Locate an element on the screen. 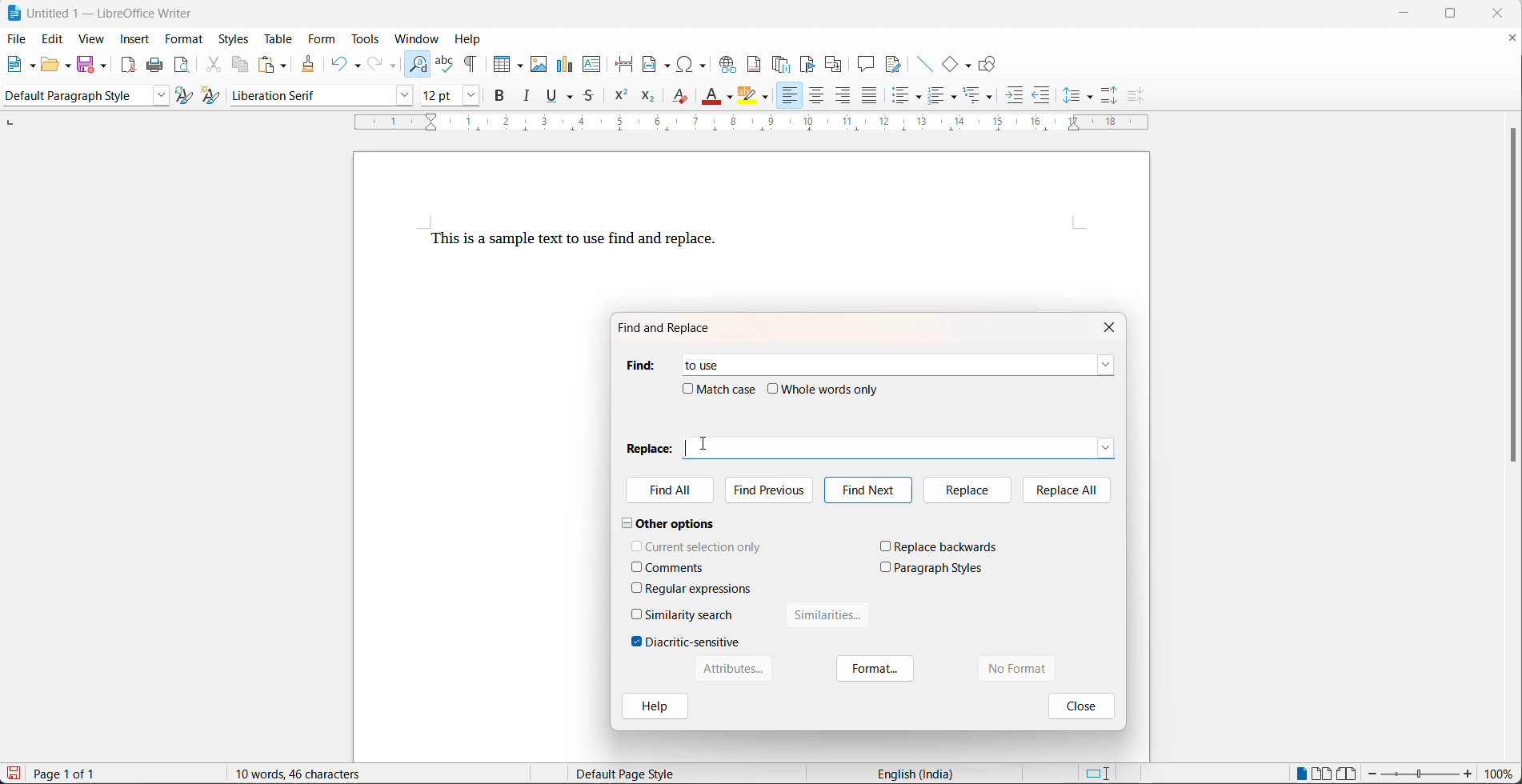 The height and width of the screenshot is (784, 1522). tools is located at coordinates (368, 39).